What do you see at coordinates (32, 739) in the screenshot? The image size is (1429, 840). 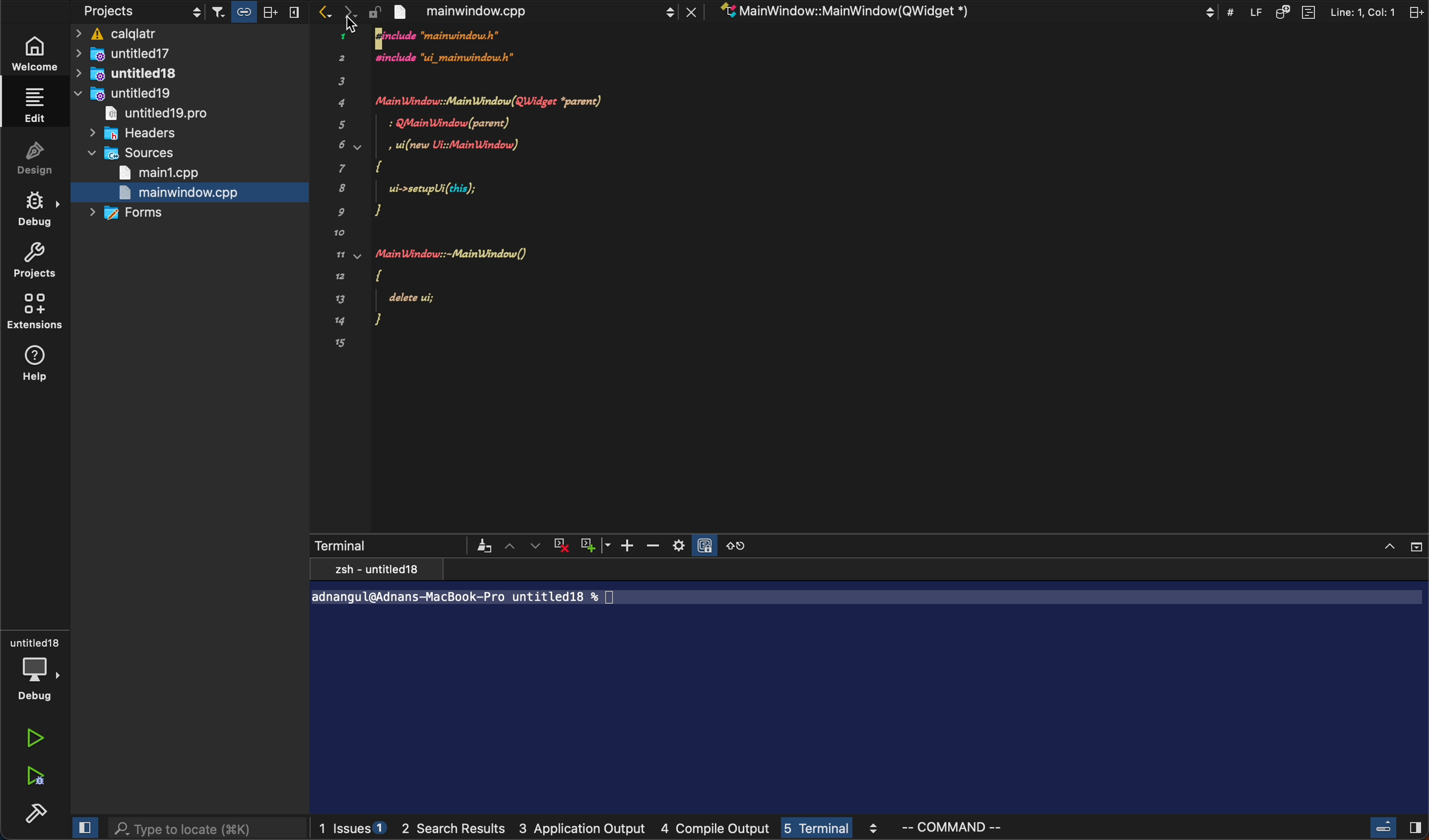 I see `run` at bounding box center [32, 739].